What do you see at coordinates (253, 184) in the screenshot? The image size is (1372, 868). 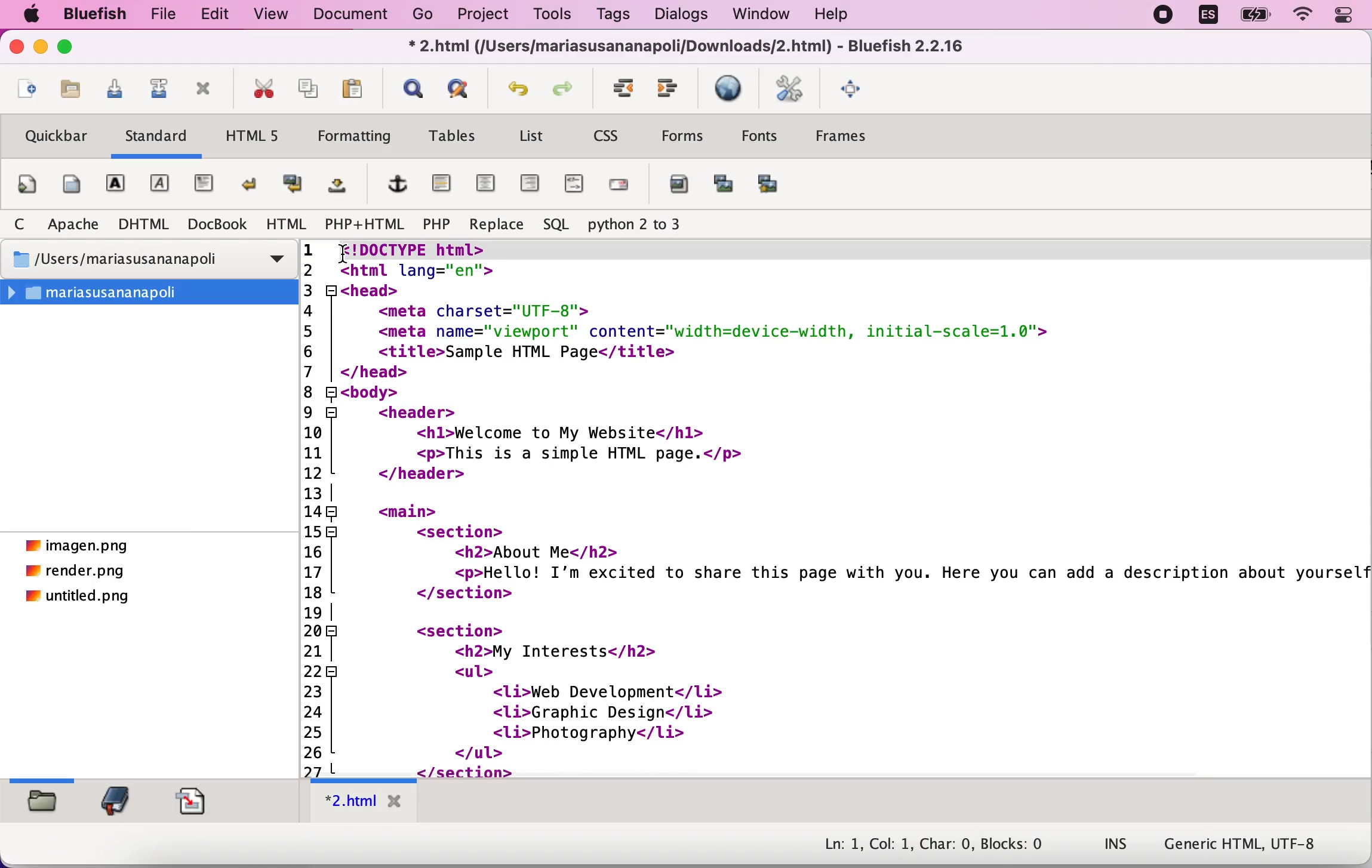 I see `break` at bounding box center [253, 184].